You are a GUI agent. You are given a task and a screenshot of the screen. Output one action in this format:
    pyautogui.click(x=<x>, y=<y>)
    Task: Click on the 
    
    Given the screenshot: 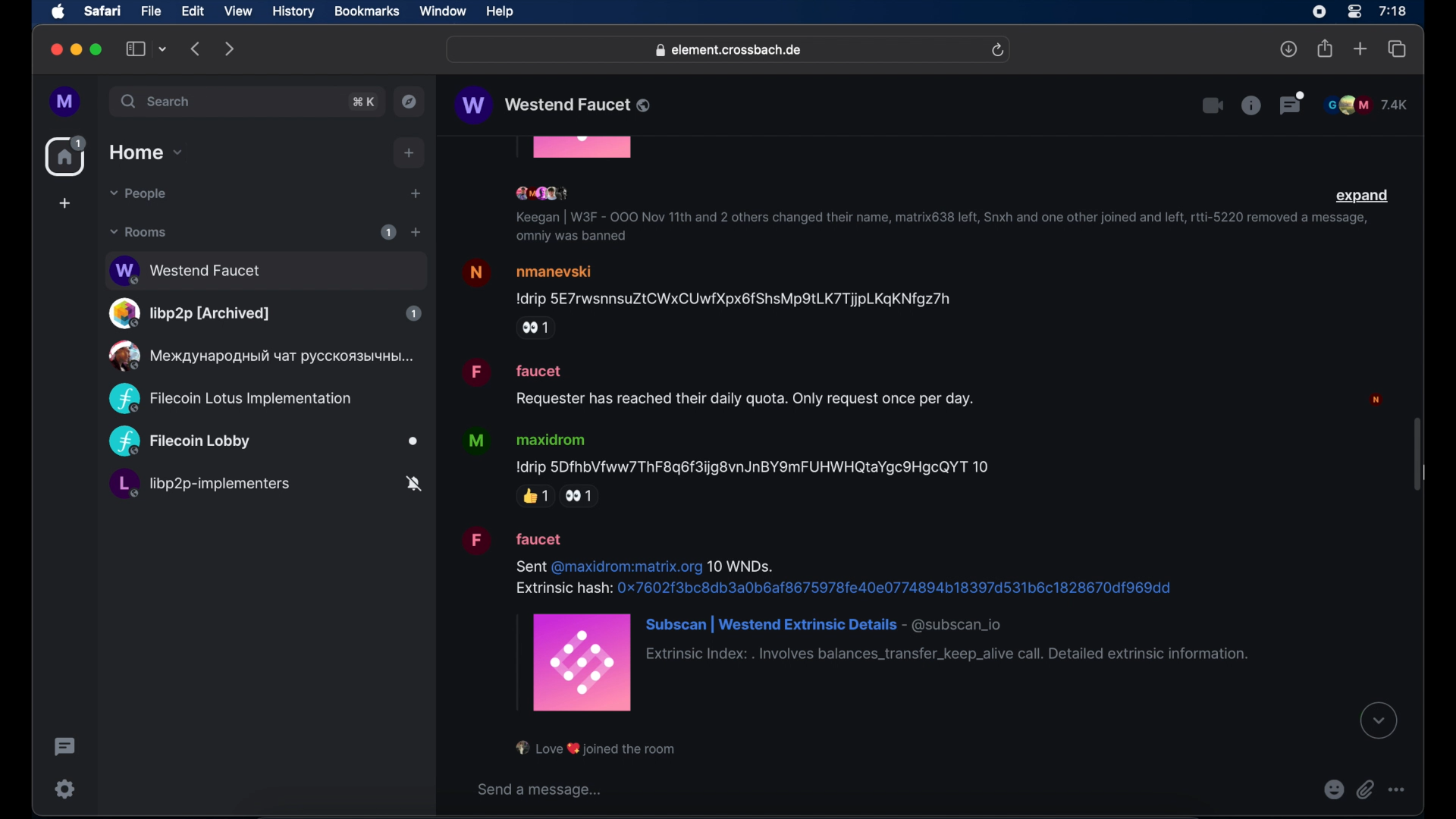 What is the action you would take?
    pyautogui.click(x=140, y=194)
    